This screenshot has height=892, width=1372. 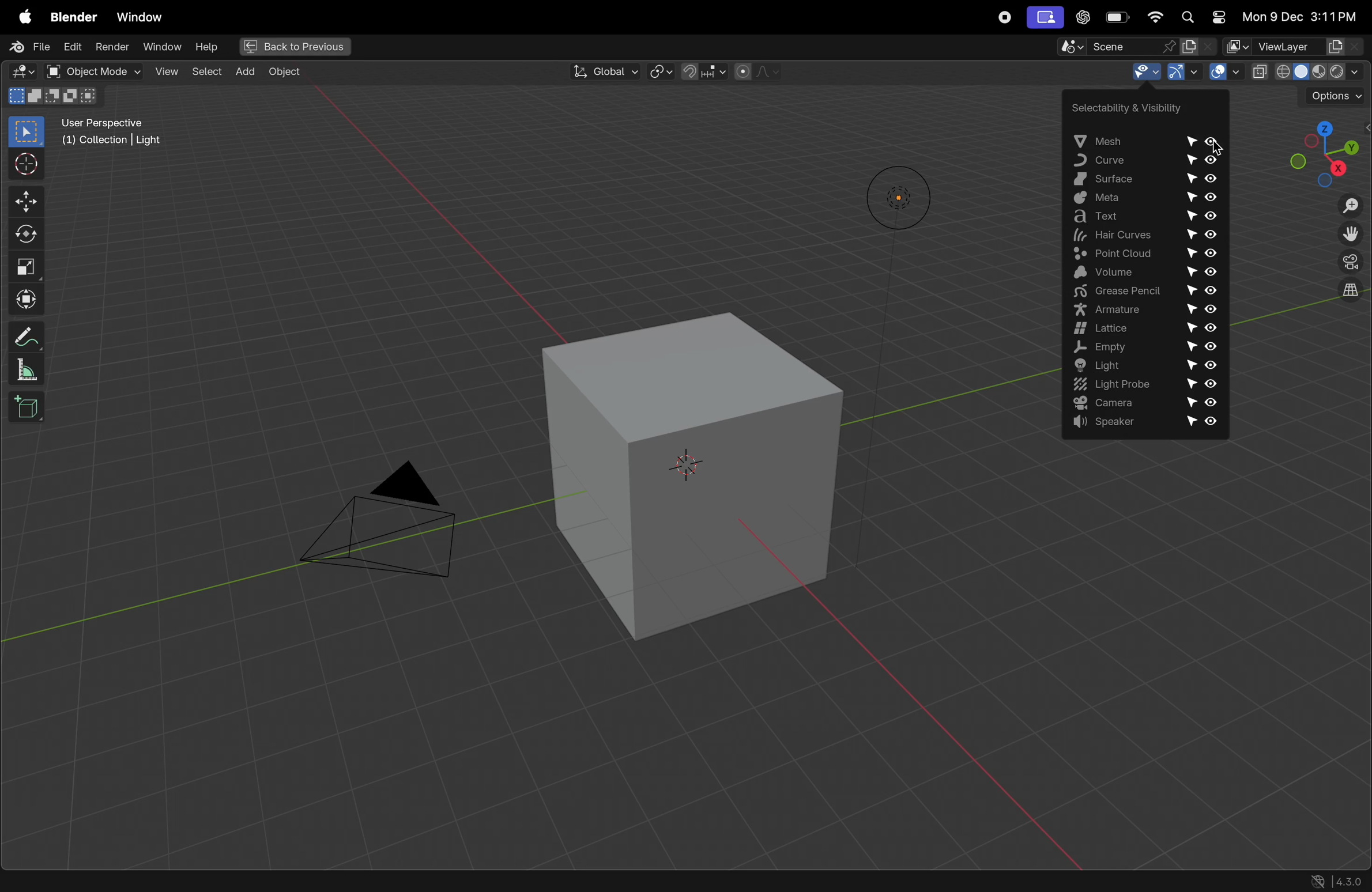 What do you see at coordinates (71, 47) in the screenshot?
I see `edit` at bounding box center [71, 47].